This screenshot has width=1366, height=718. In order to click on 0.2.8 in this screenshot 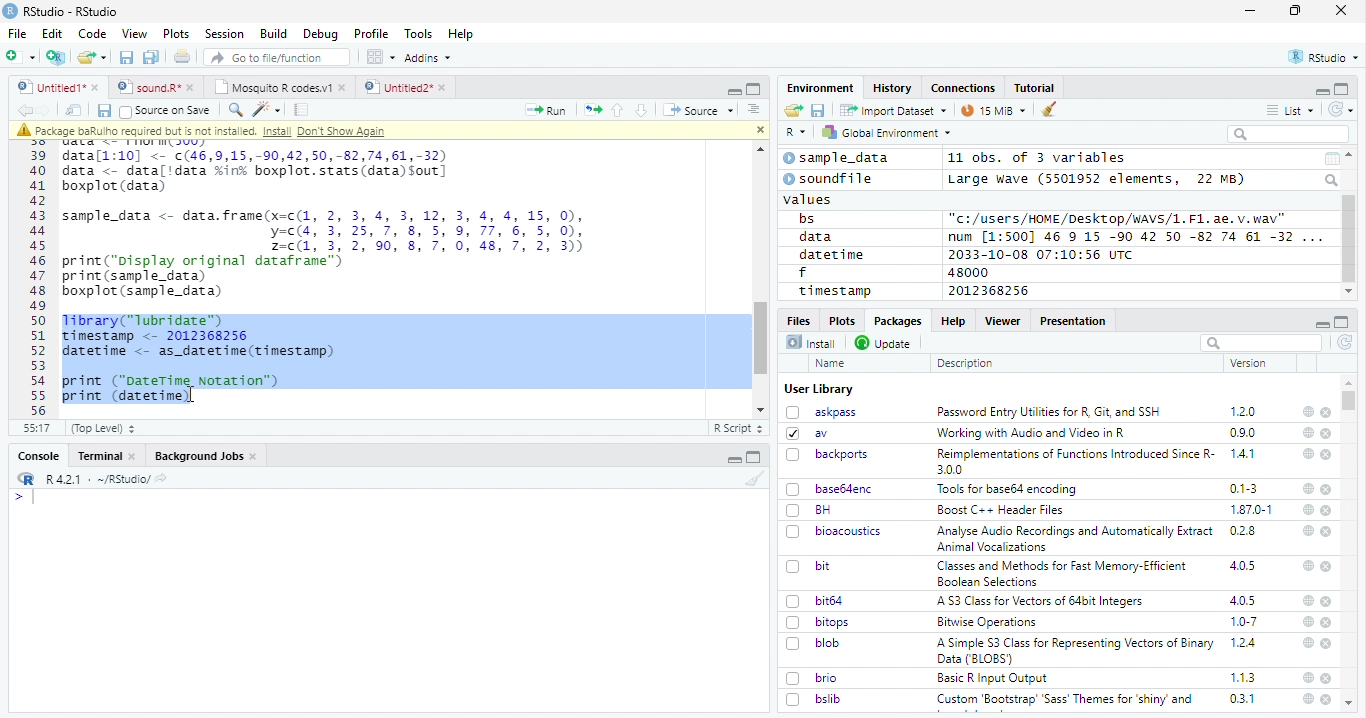, I will do `click(1244, 530)`.